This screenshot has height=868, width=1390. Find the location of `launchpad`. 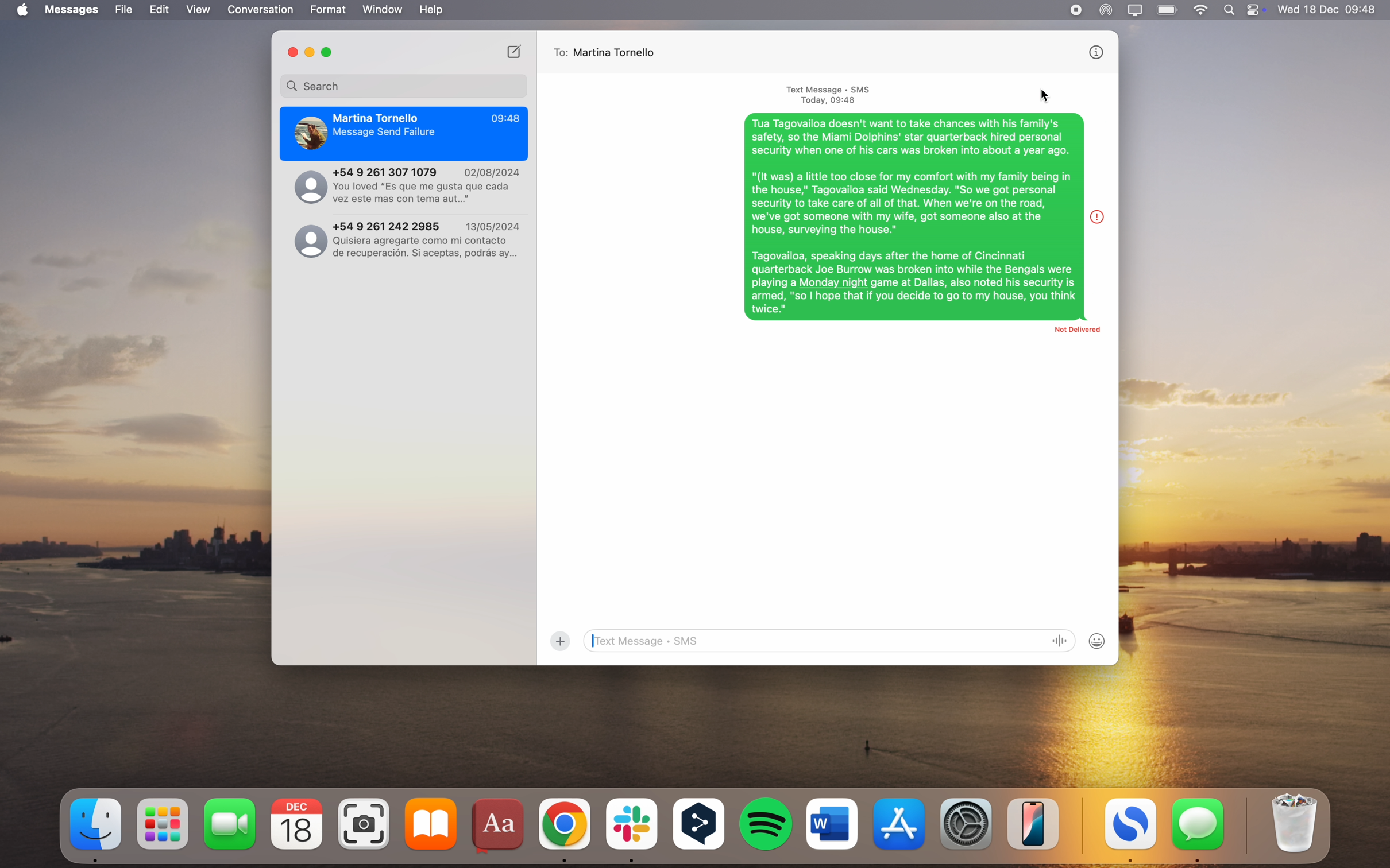

launchpad is located at coordinates (165, 824).